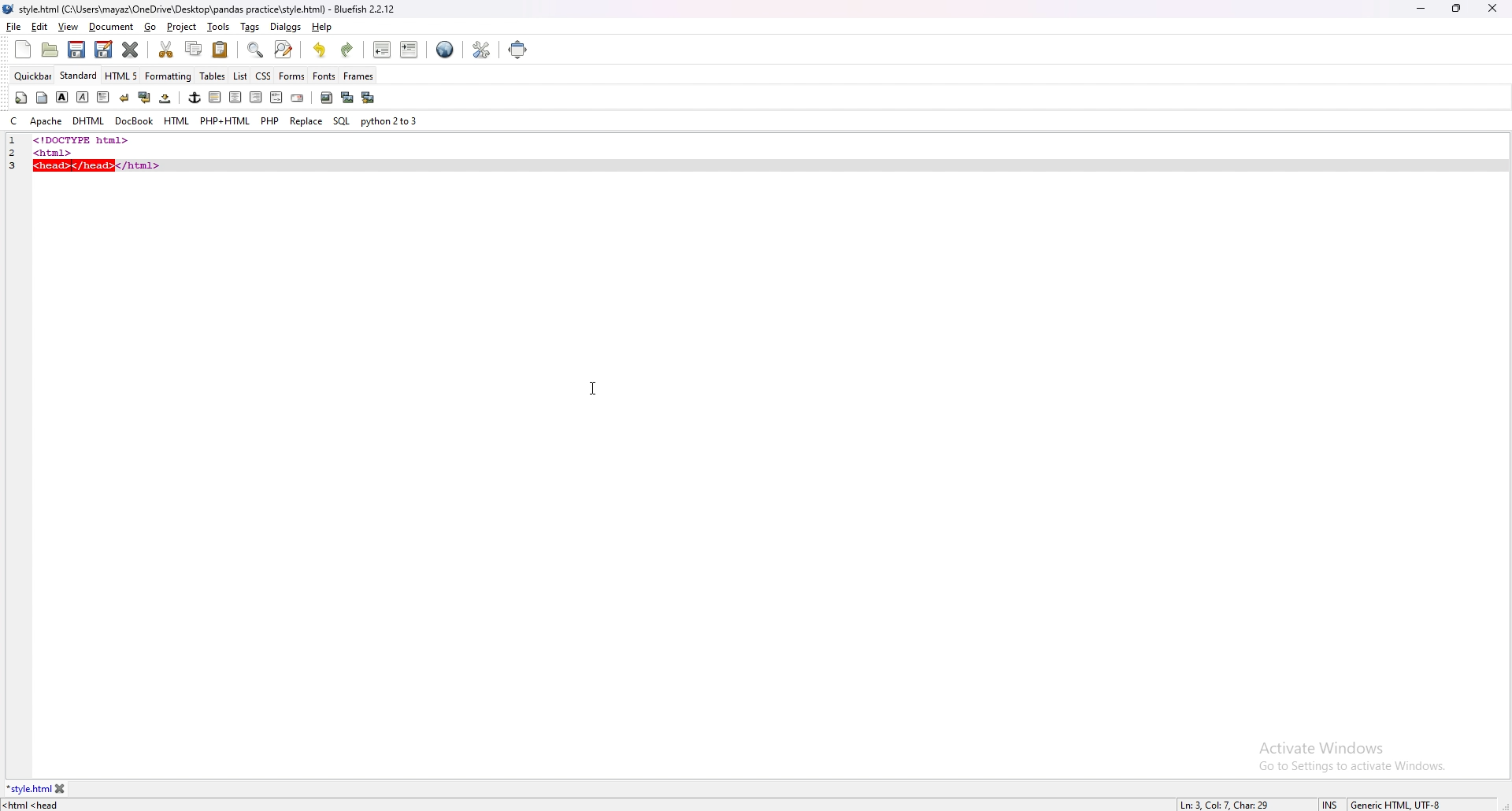 This screenshot has height=811, width=1512. Describe the element at coordinates (264, 75) in the screenshot. I see `css` at that location.